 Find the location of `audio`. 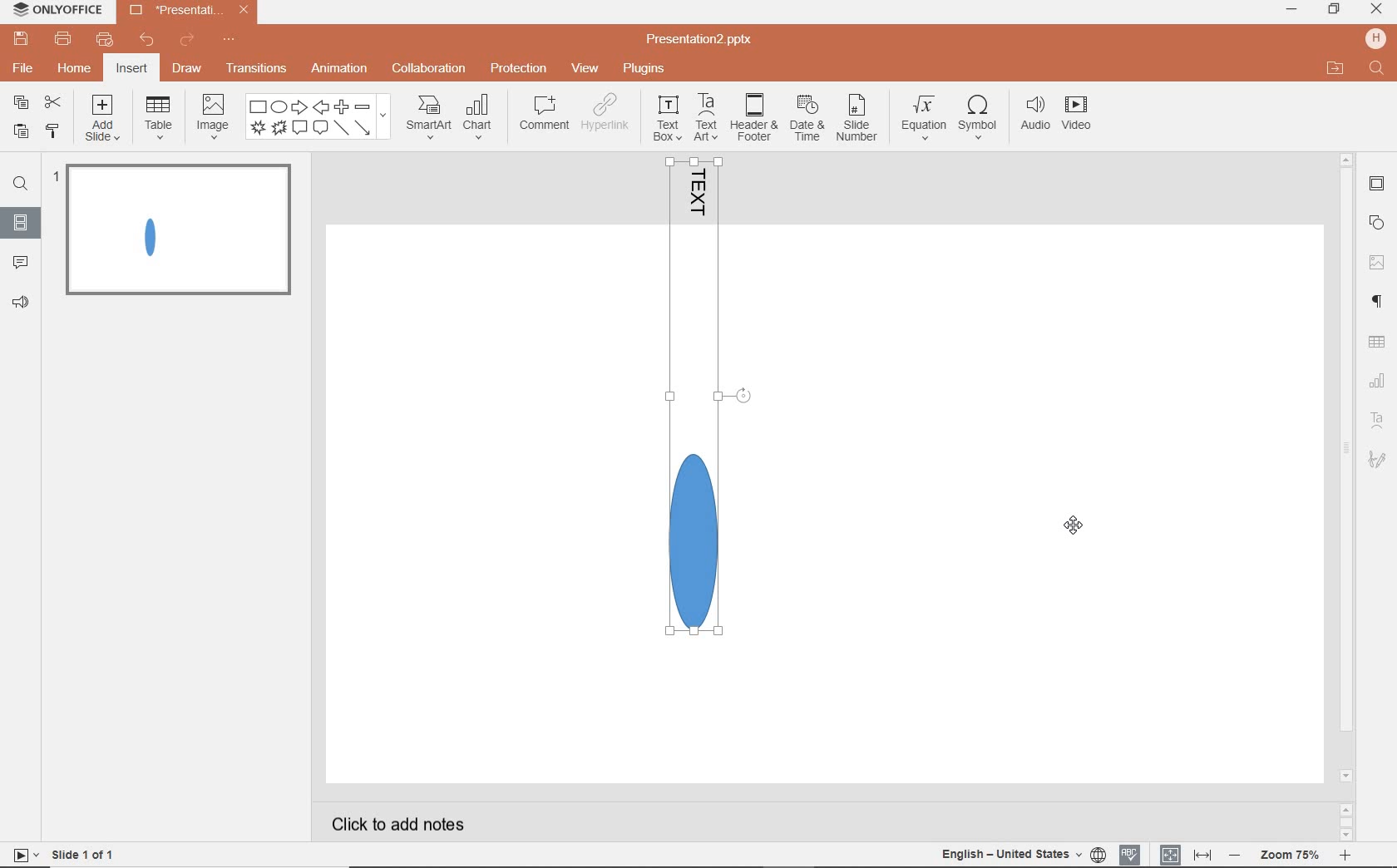

audio is located at coordinates (1032, 117).